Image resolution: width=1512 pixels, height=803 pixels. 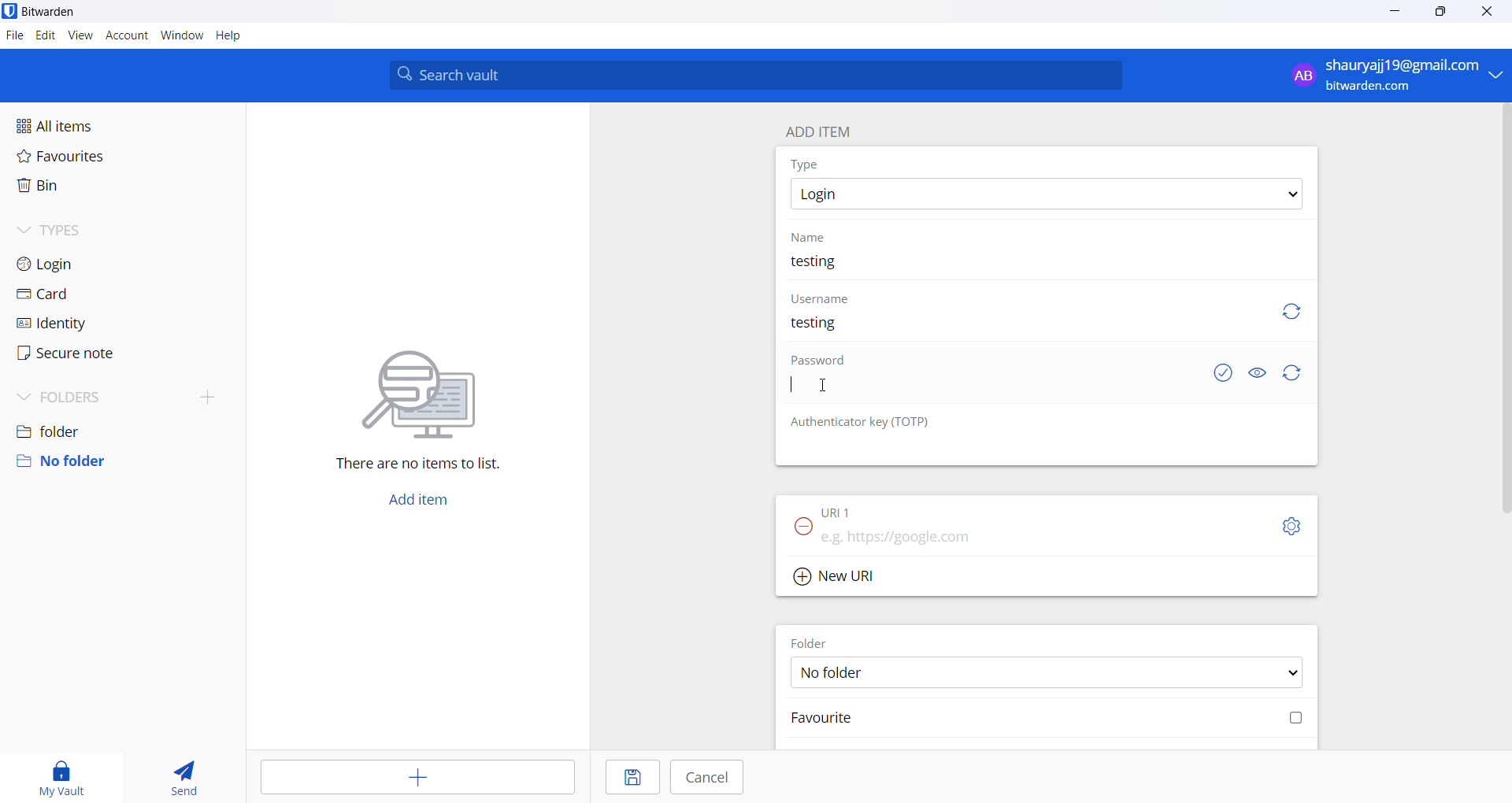 What do you see at coordinates (755, 74) in the screenshot?
I see `search bar` at bounding box center [755, 74].